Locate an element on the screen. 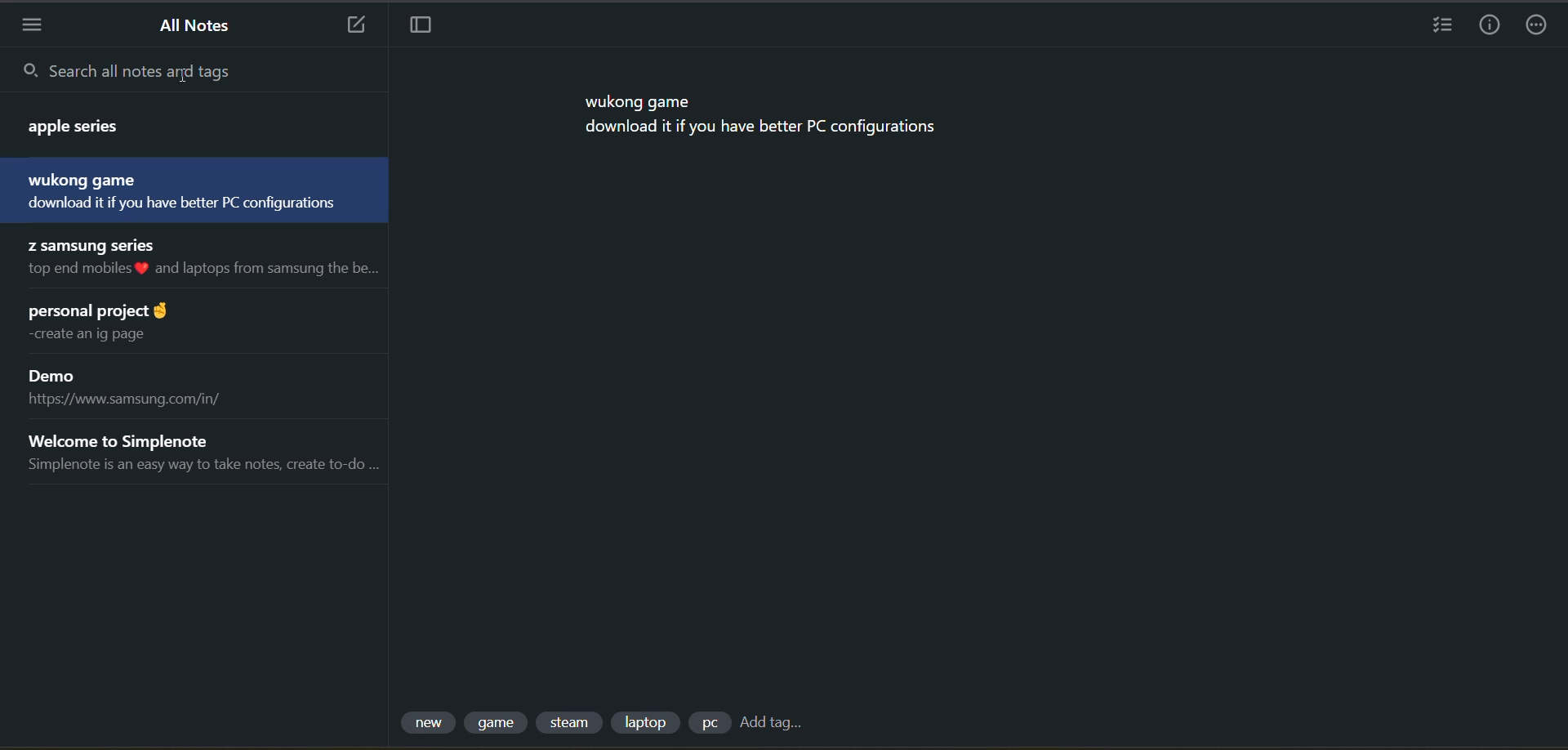  all notes is located at coordinates (198, 28).